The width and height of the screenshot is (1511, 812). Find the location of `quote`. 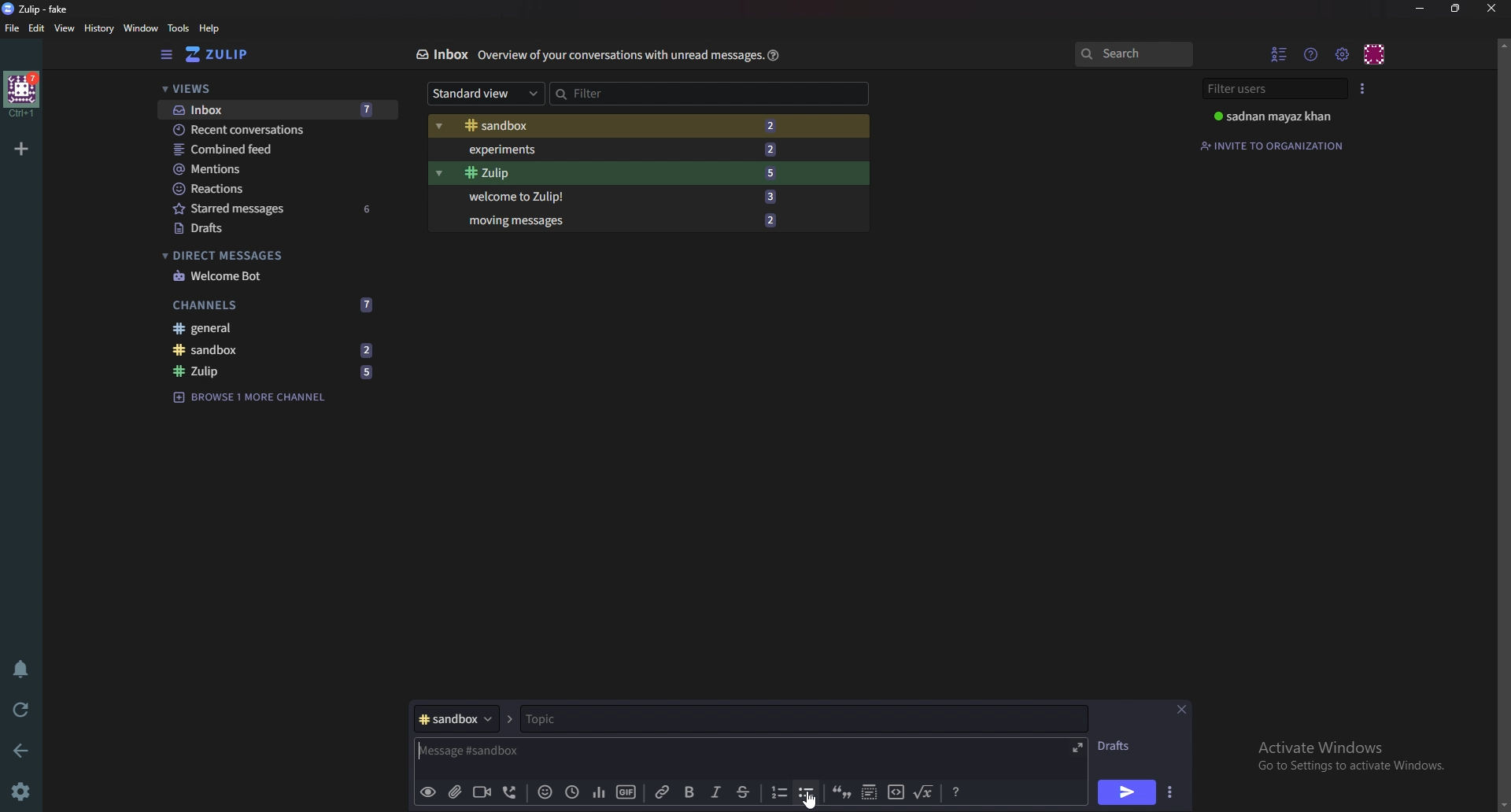

quote is located at coordinates (840, 791).